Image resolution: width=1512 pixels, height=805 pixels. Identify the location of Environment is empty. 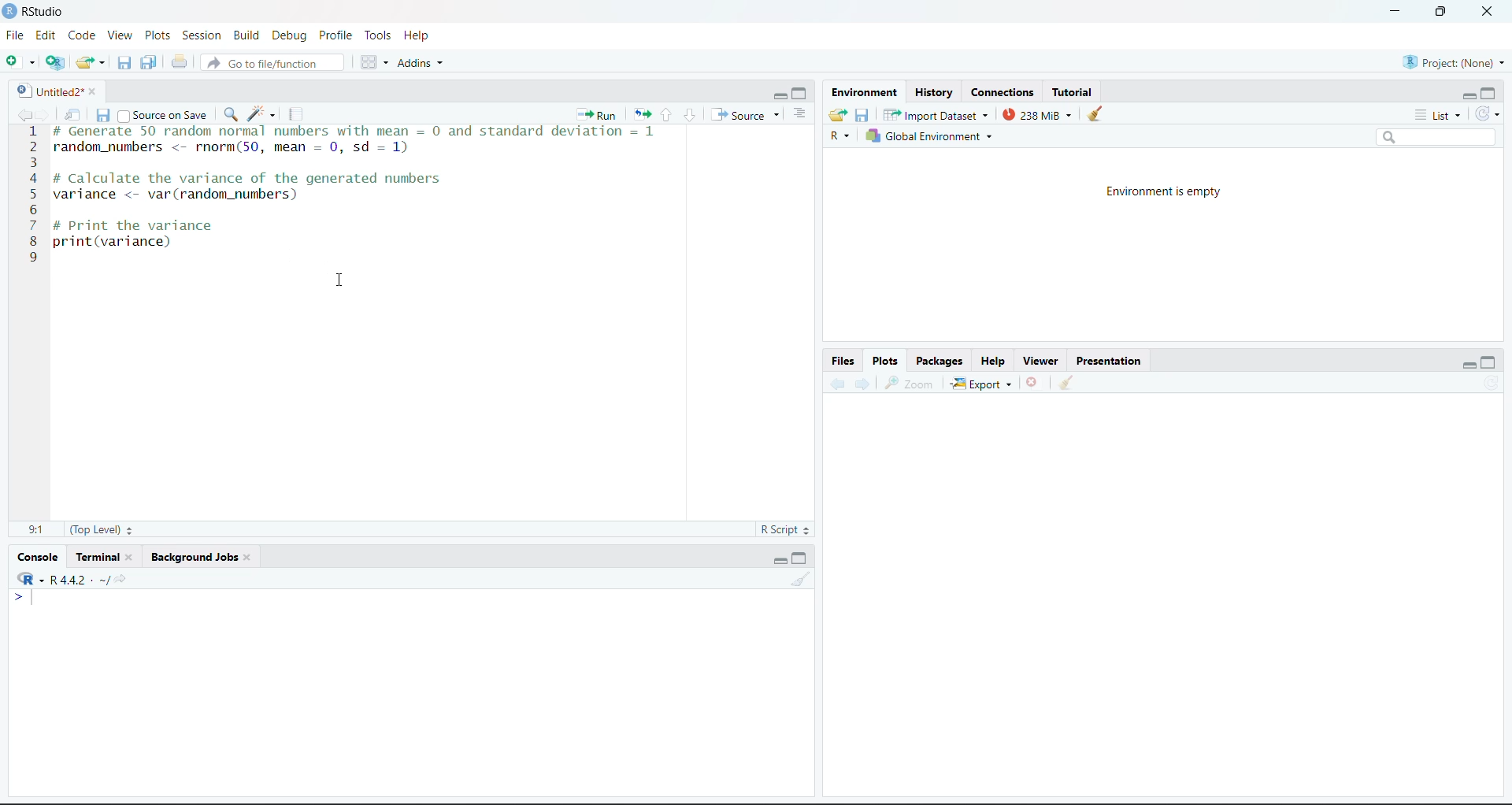
(1162, 193).